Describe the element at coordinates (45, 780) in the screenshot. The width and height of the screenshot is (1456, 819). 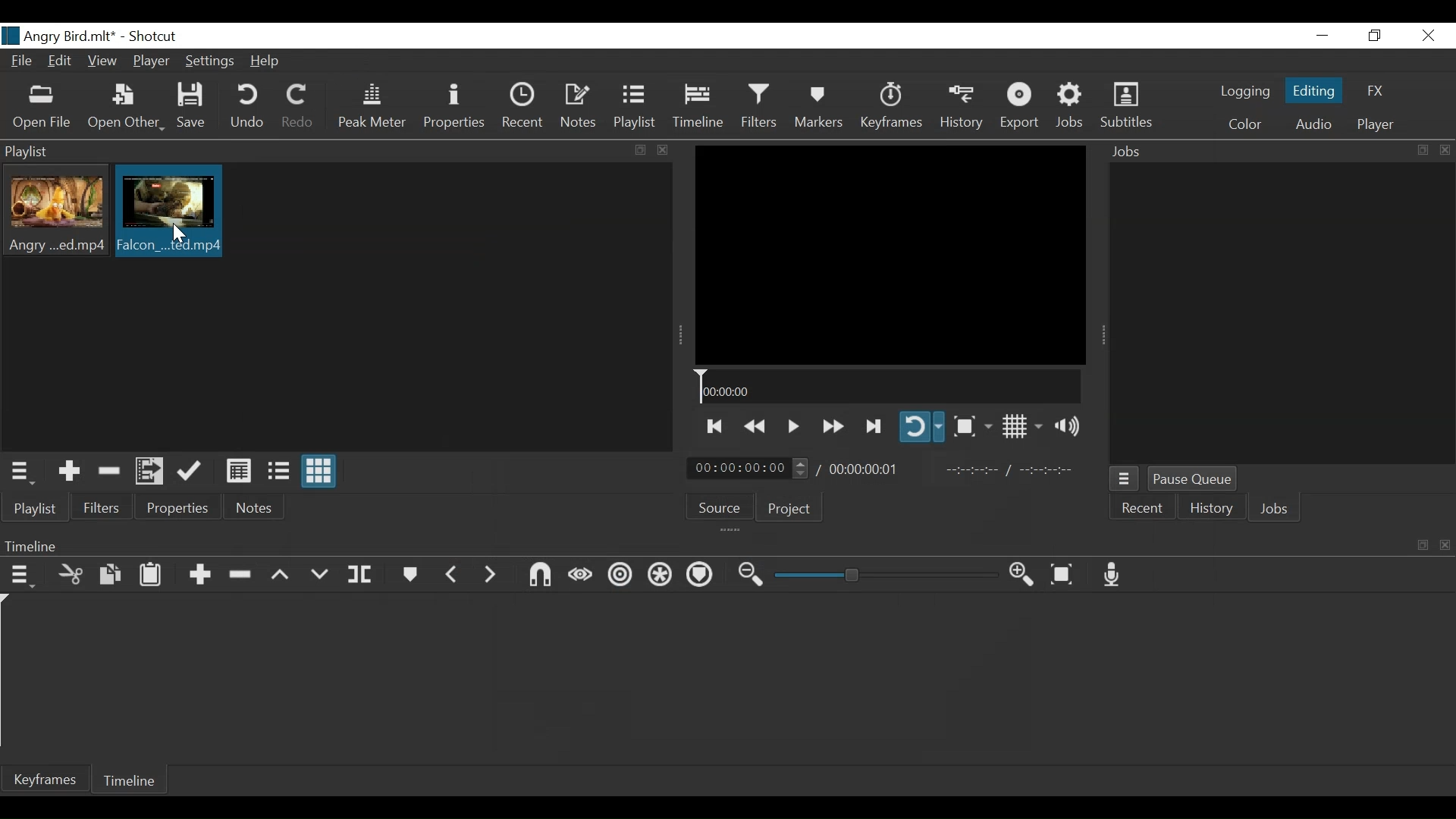
I see `Keyframe` at that location.